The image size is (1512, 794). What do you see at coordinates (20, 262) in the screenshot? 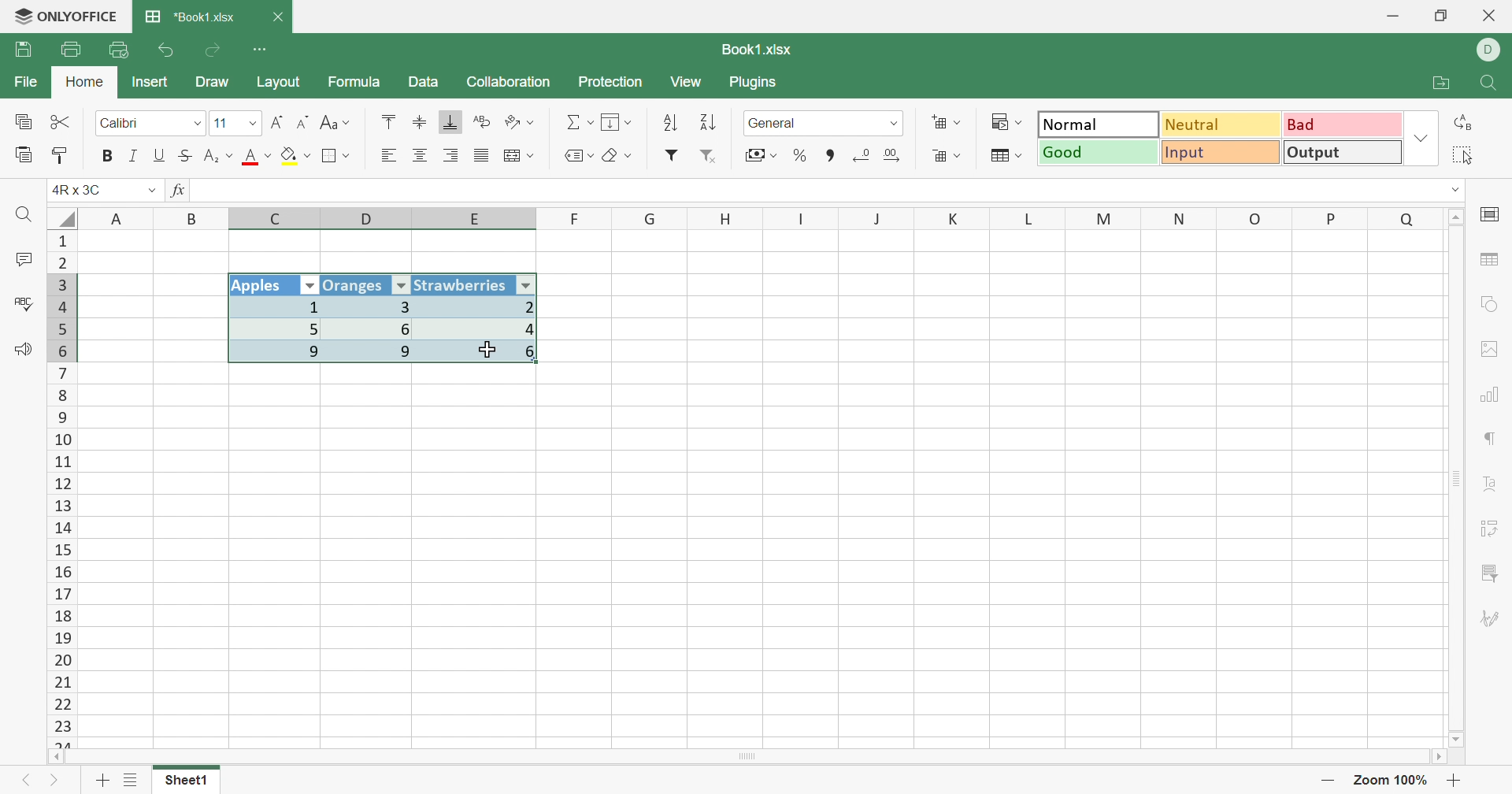
I see `Comments` at bounding box center [20, 262].